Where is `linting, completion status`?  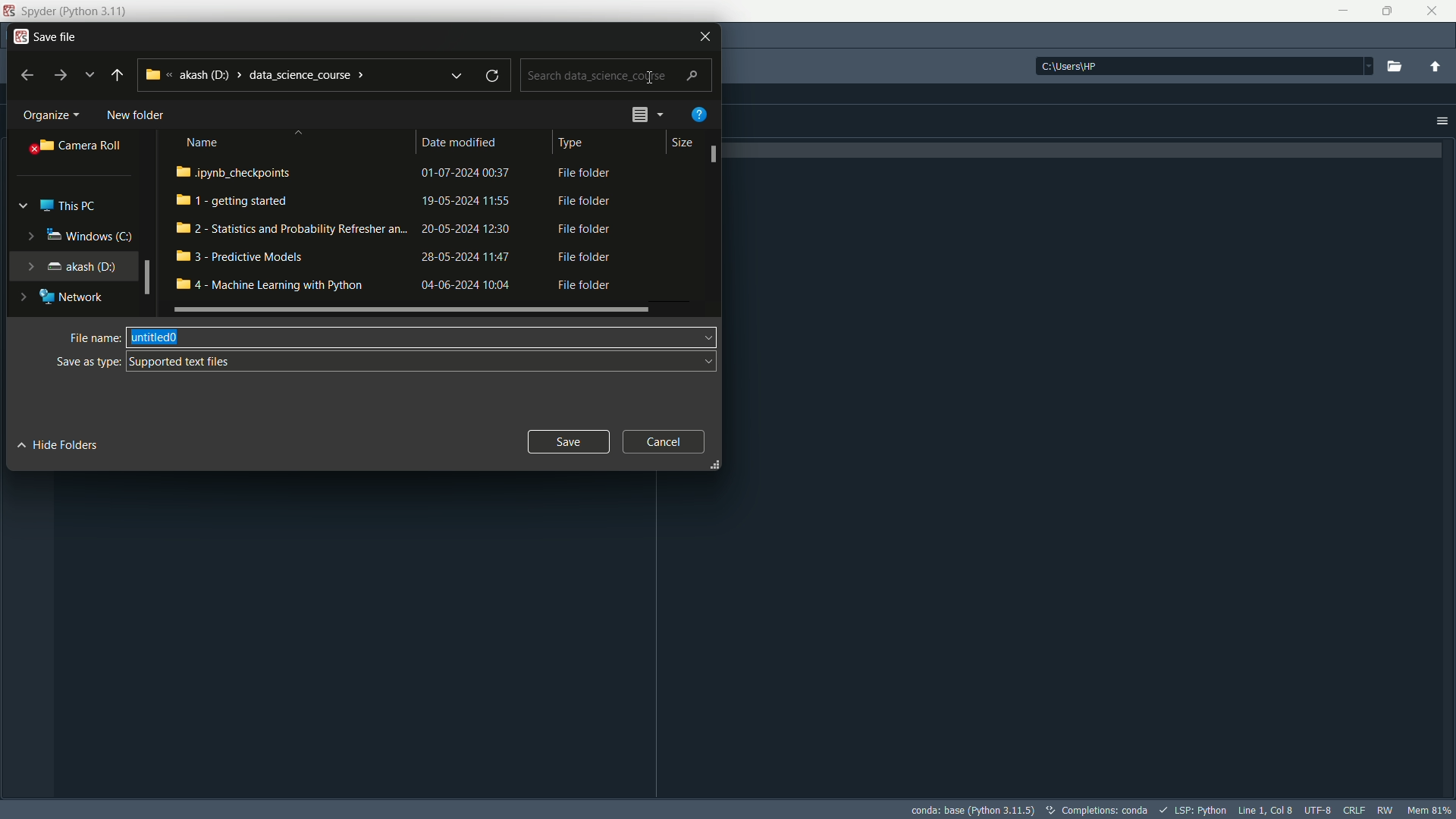
linting, completion status is located at coordinates (1194, 810).